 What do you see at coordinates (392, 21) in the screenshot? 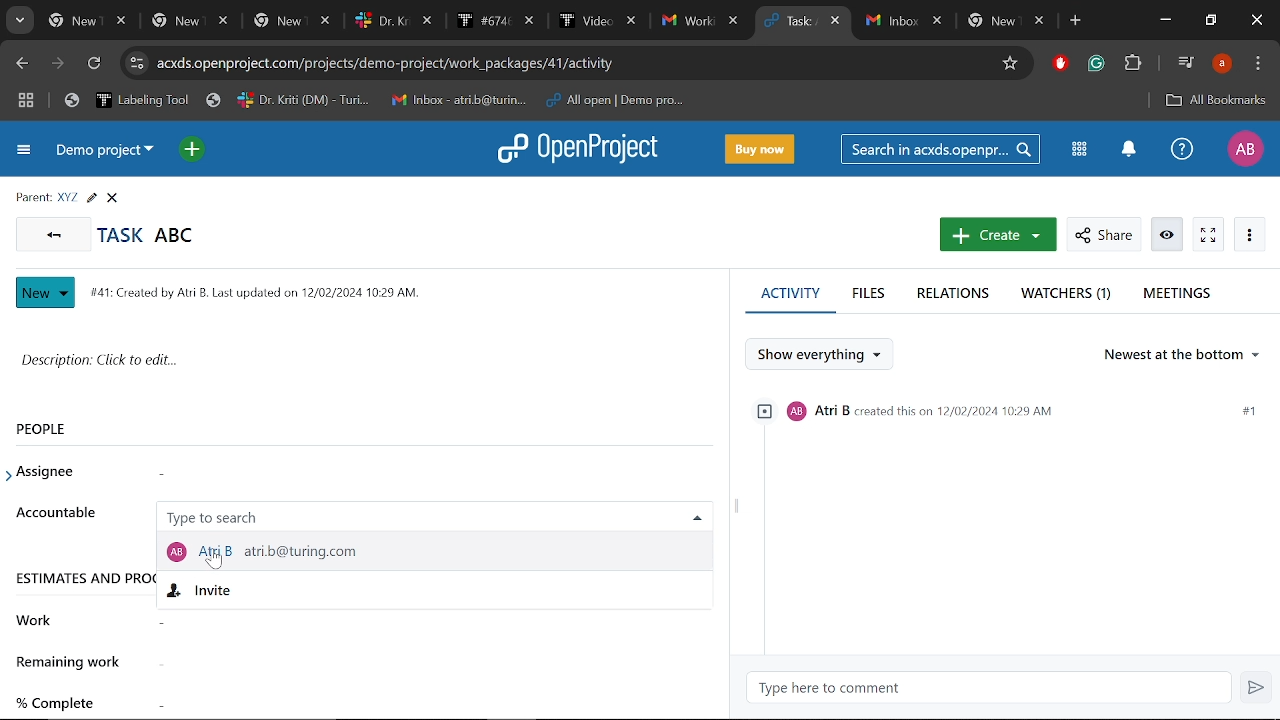
I see `Other tabs` at bounding box center [392, 21].